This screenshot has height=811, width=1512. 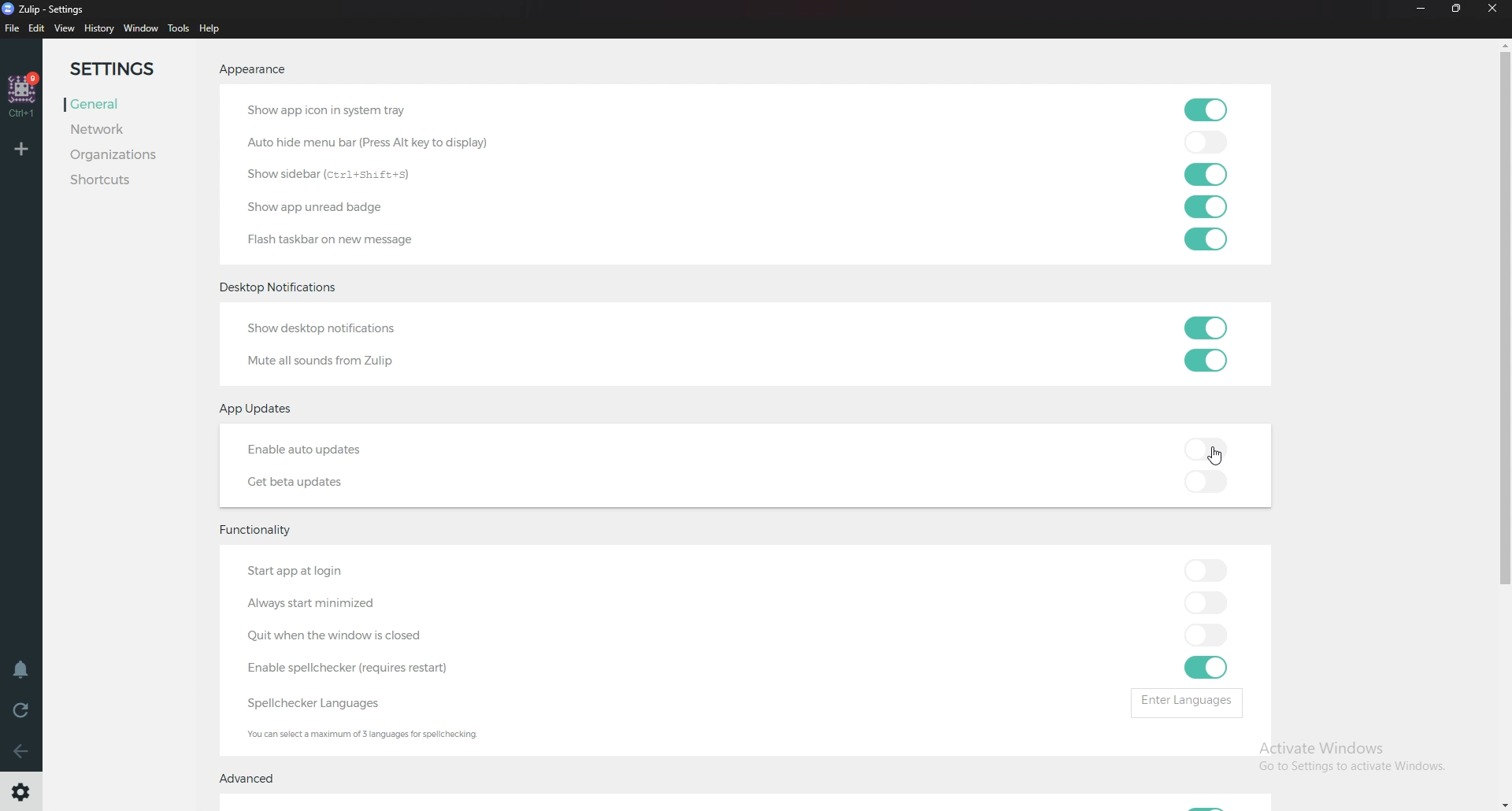 What do you see at coordinates (1203, 632) in the screenshot?
I see `toggle` at bounding box center [1203, 632].